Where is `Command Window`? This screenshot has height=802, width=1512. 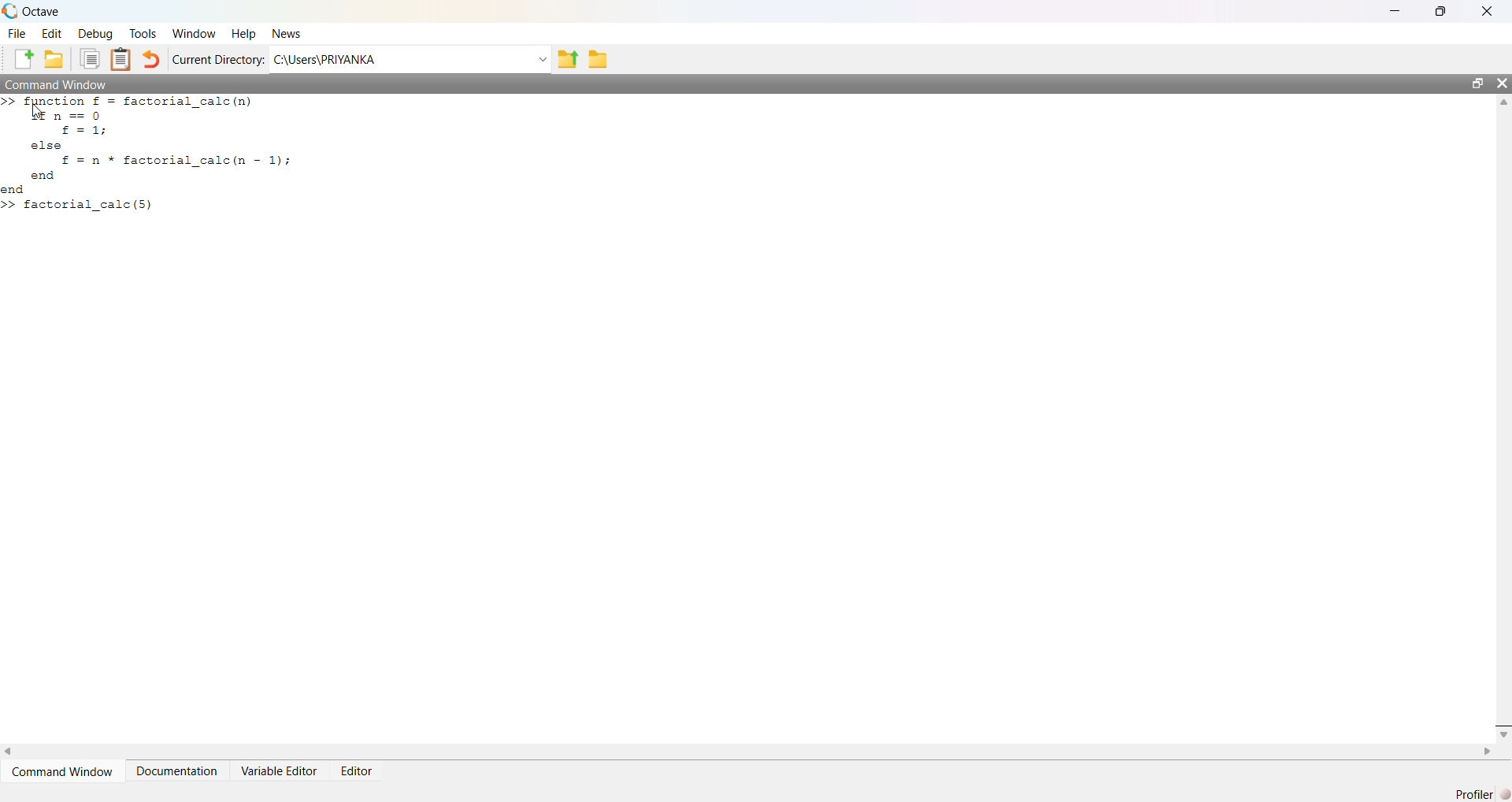 Command Window is located at coordinates (65, 771).